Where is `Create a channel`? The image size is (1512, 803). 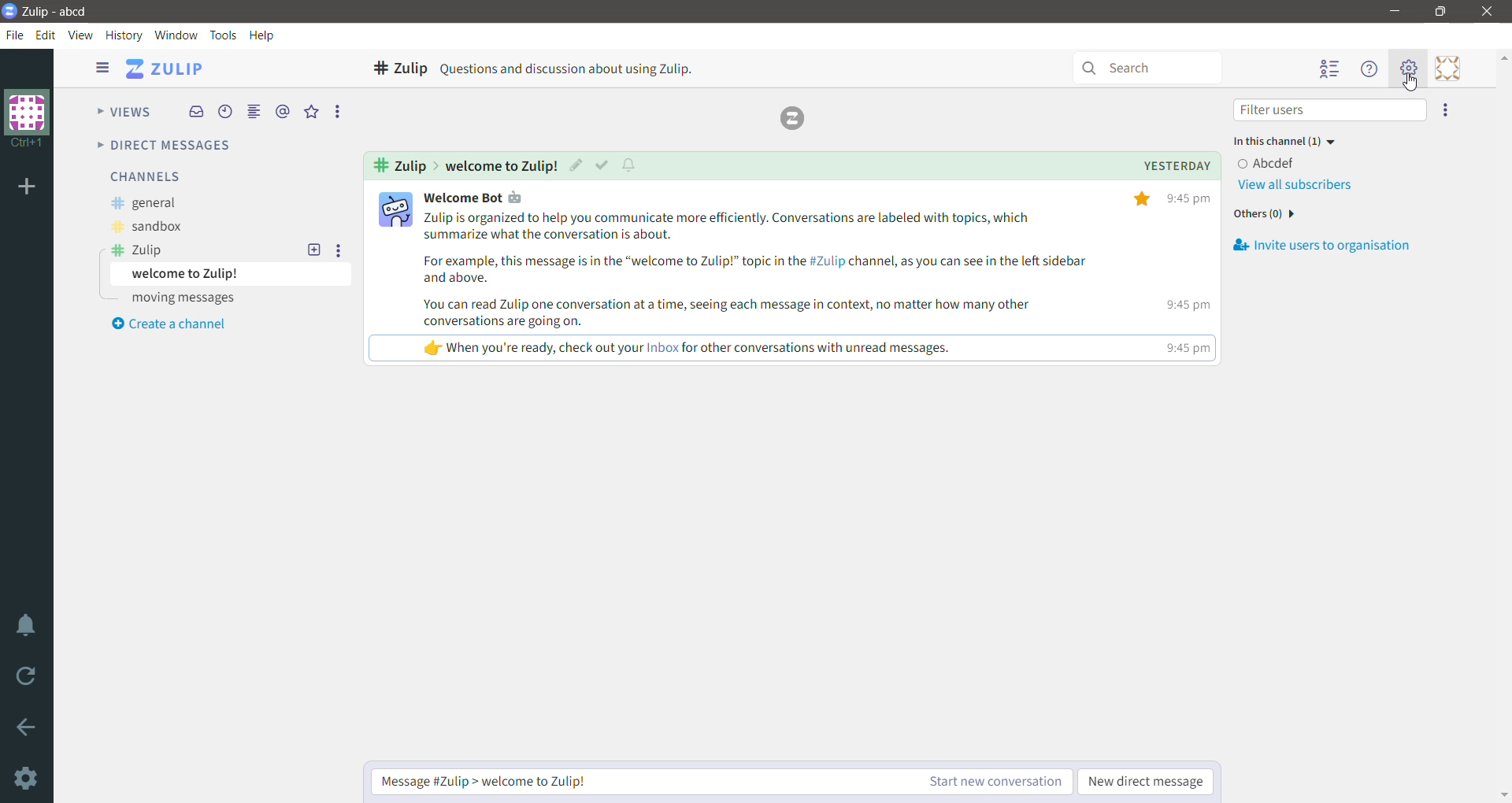 Create a channel is located at coordinates (167, 326).